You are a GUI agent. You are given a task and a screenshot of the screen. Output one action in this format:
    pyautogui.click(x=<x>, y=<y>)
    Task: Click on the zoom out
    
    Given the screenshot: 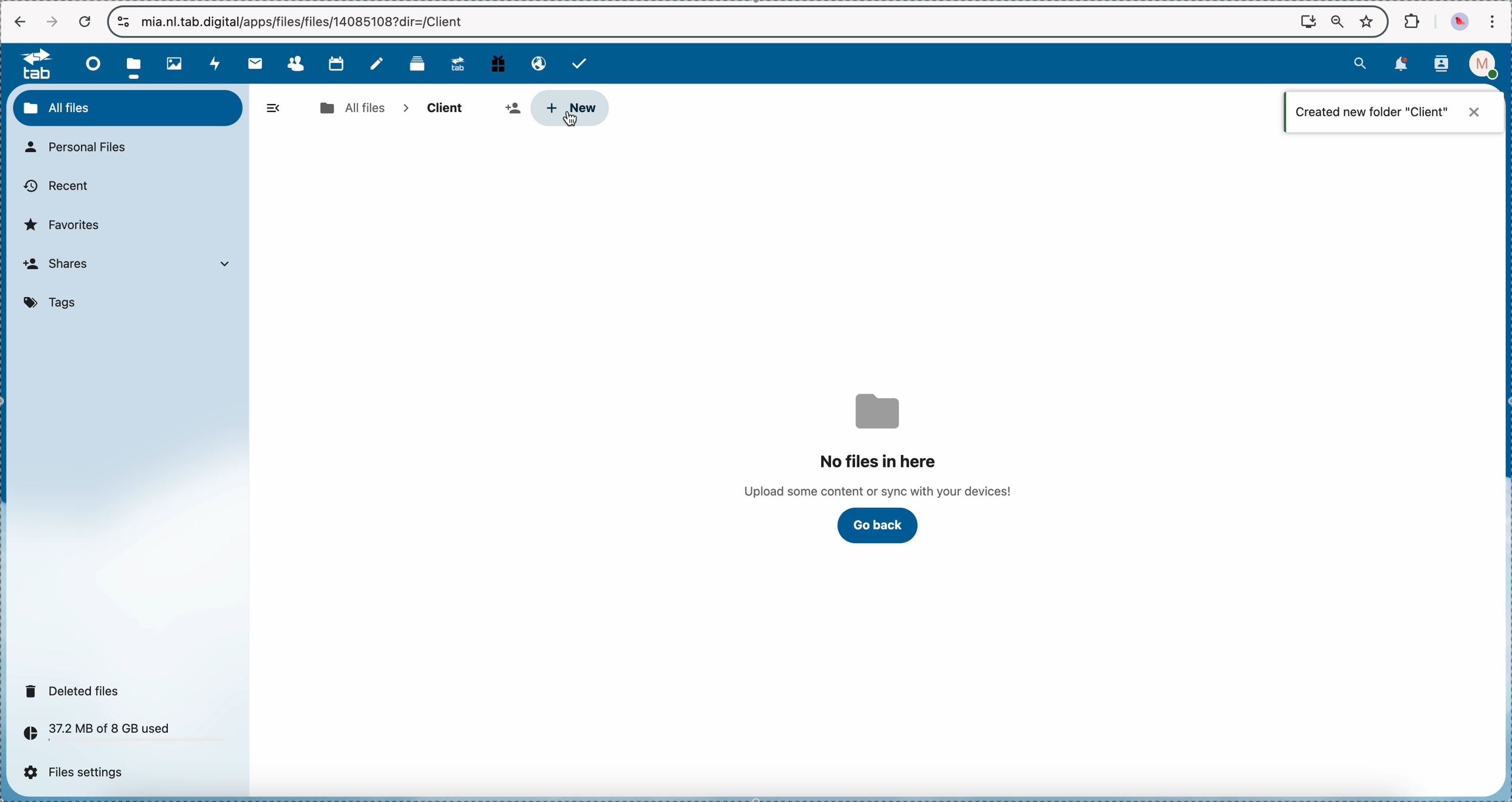 What is the action you would take?
    pyautogui.click(x=1338, y=22)
    